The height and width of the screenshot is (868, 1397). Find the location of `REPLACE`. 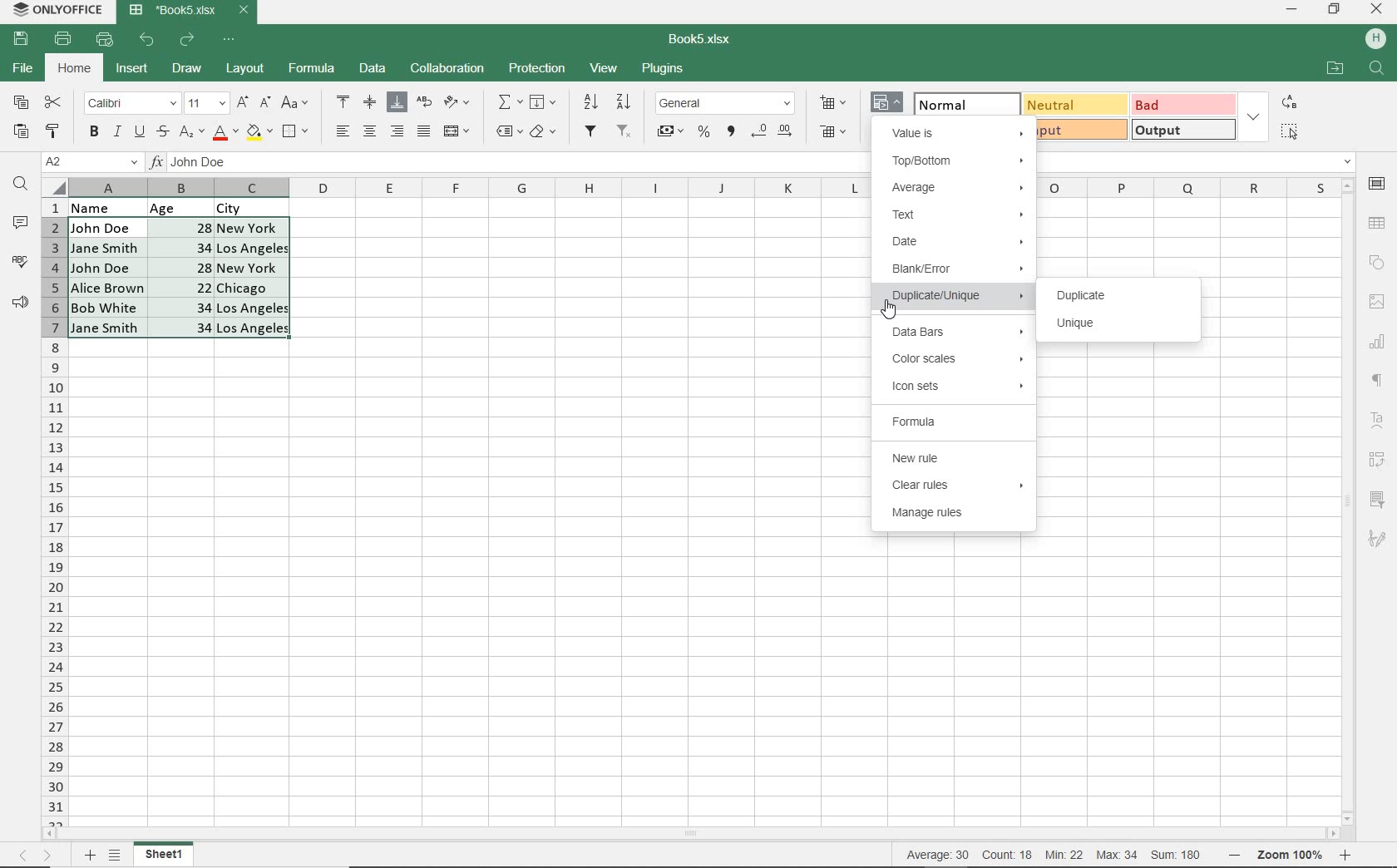

REPLACE is located at coordinates (1288, 101).